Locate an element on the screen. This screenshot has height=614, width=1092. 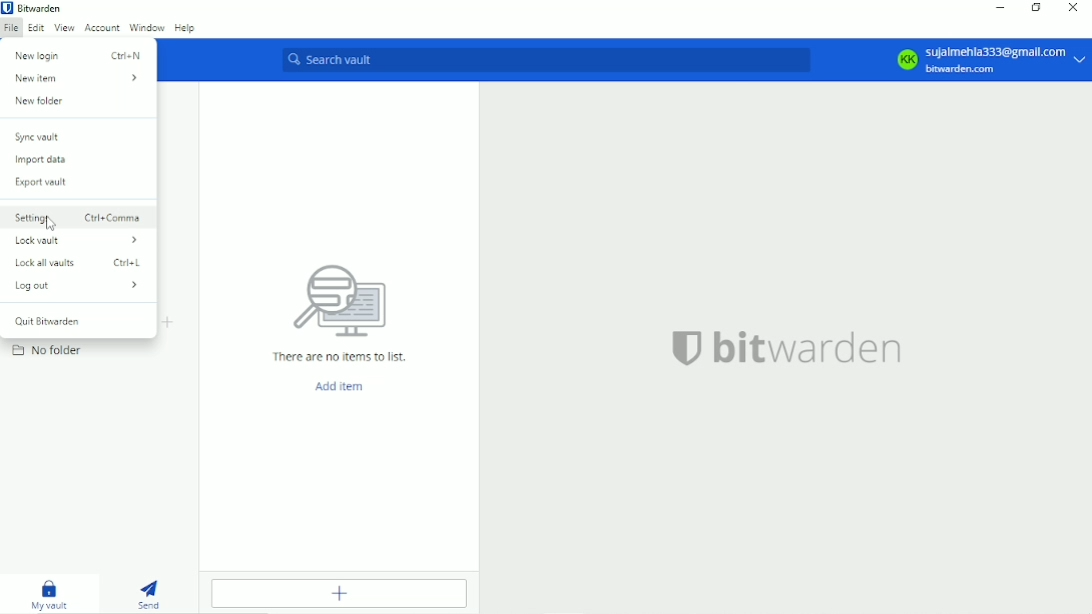
Add item  is located at coordinates (343, 595).